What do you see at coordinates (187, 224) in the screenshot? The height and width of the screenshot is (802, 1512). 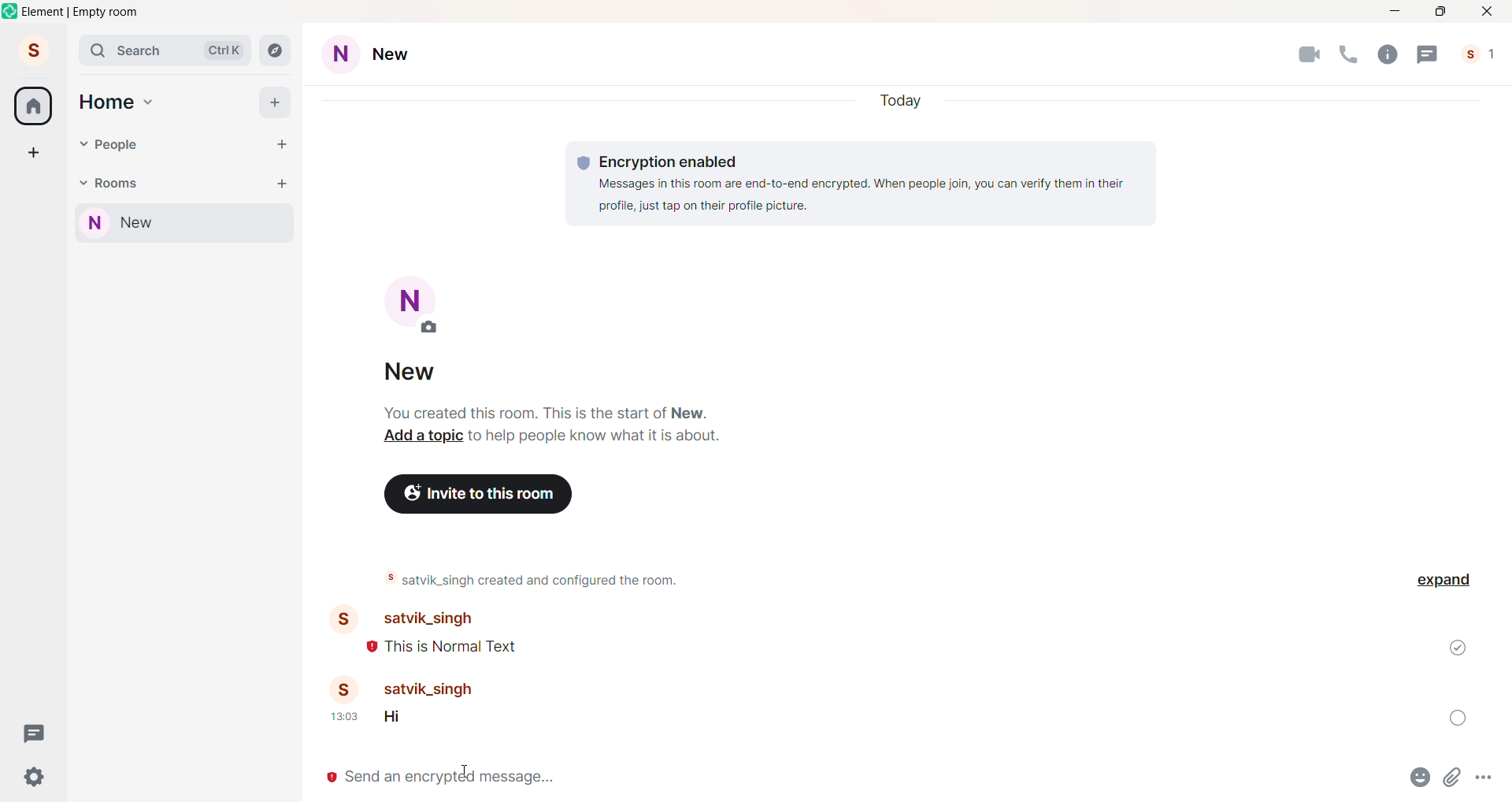 I see `Current Room` at bounding box center [187, 224].